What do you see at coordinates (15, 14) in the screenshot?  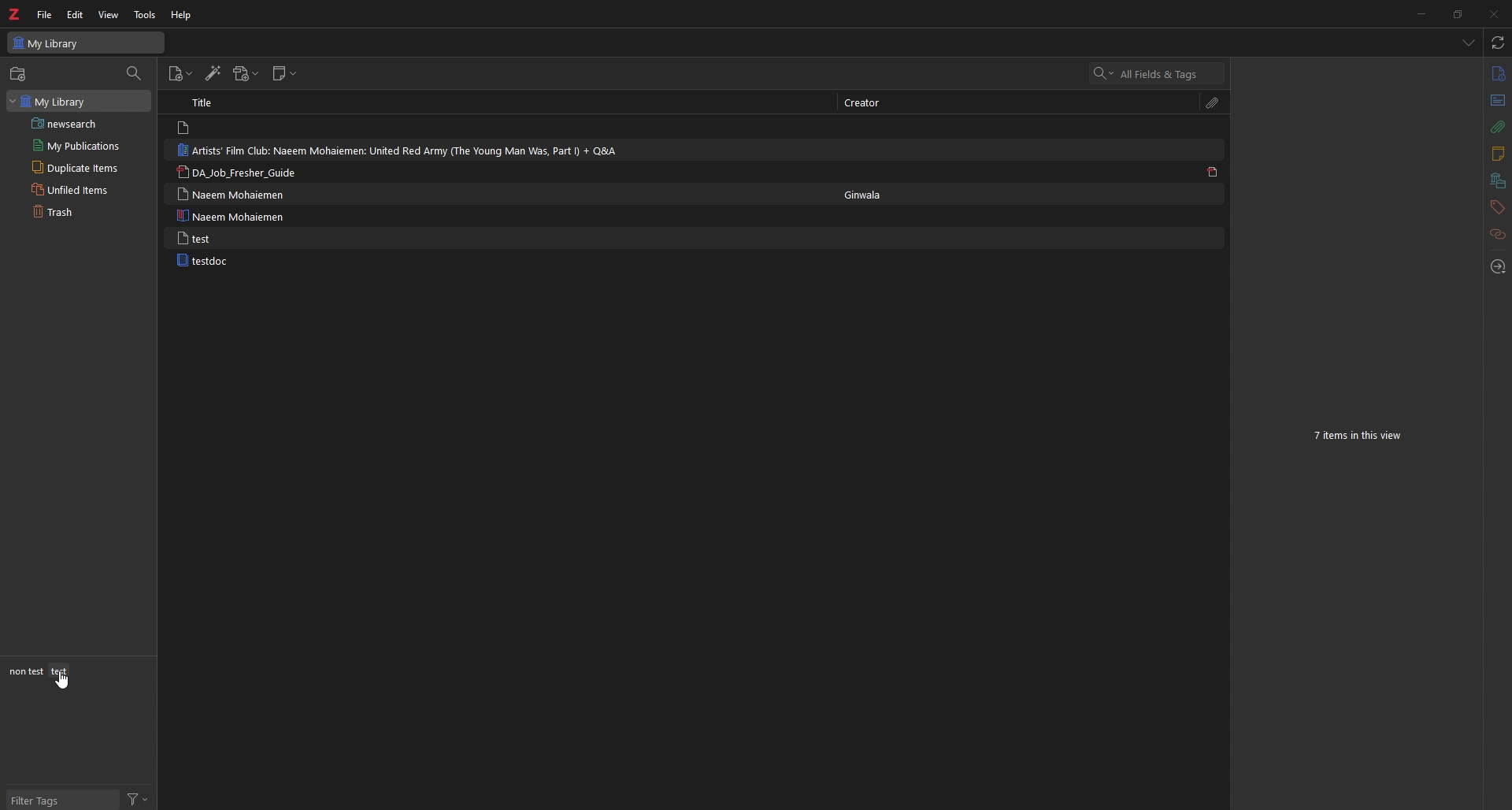 I see `zotero logo` at bounding box center [15, 14].